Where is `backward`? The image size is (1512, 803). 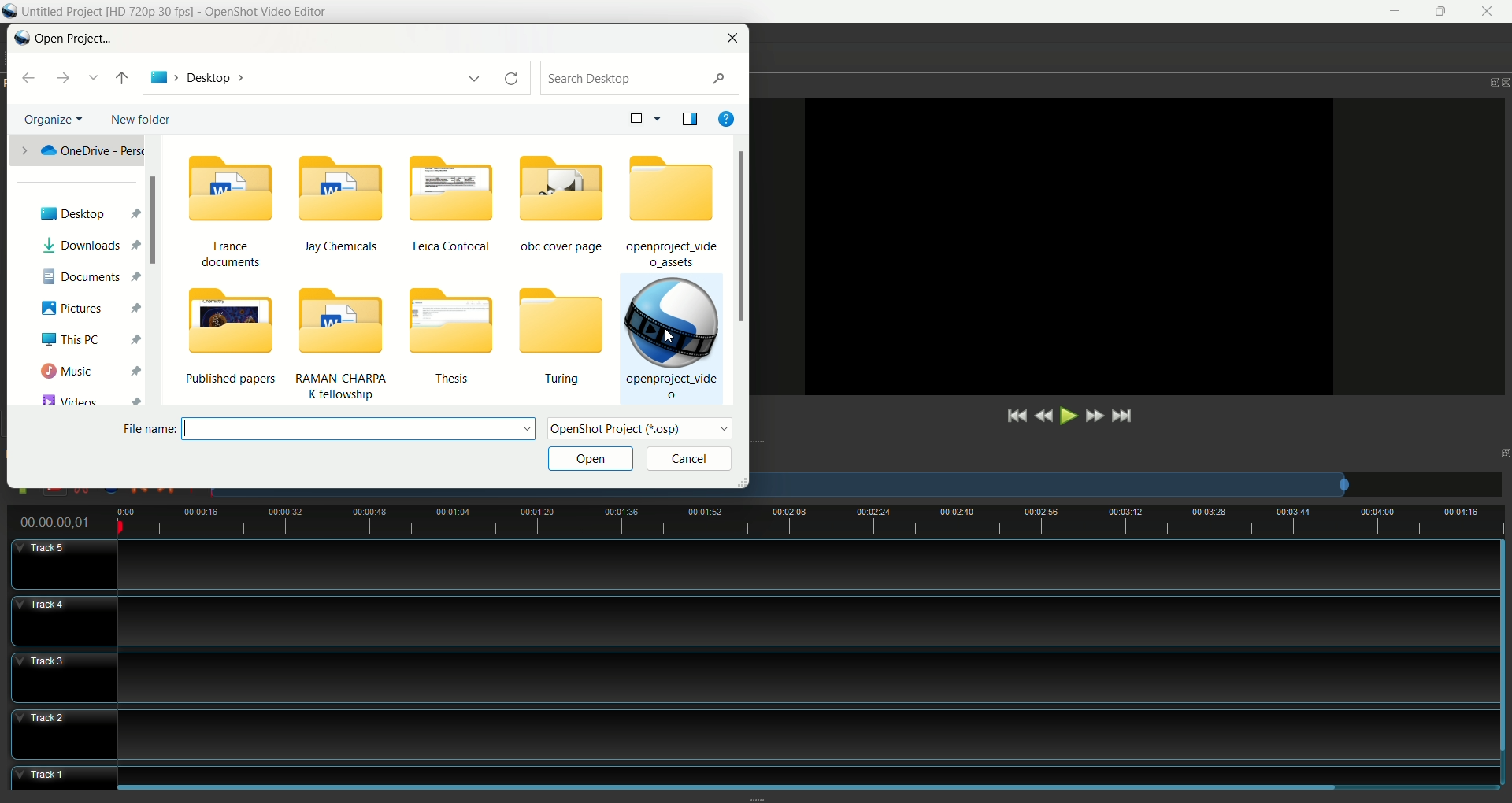 backward is located at coordinates (32, 80).